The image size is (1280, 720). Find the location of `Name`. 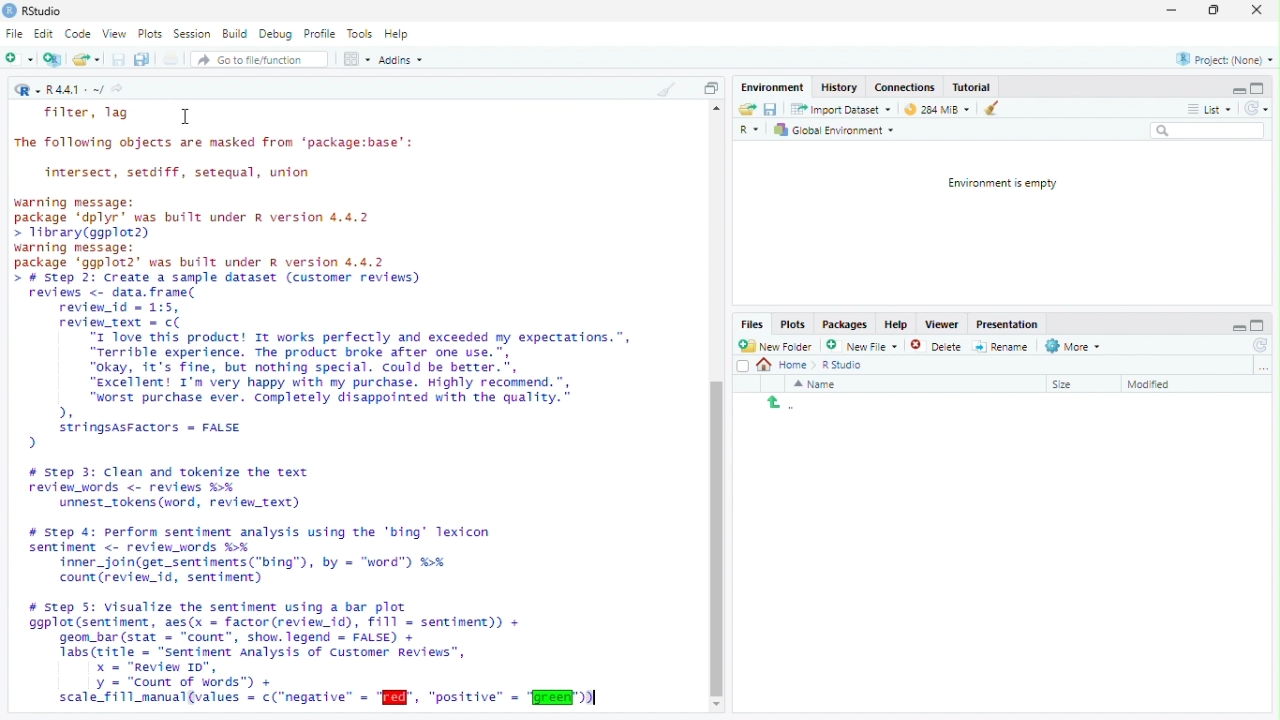

Name is located at coordinates (817, 384).